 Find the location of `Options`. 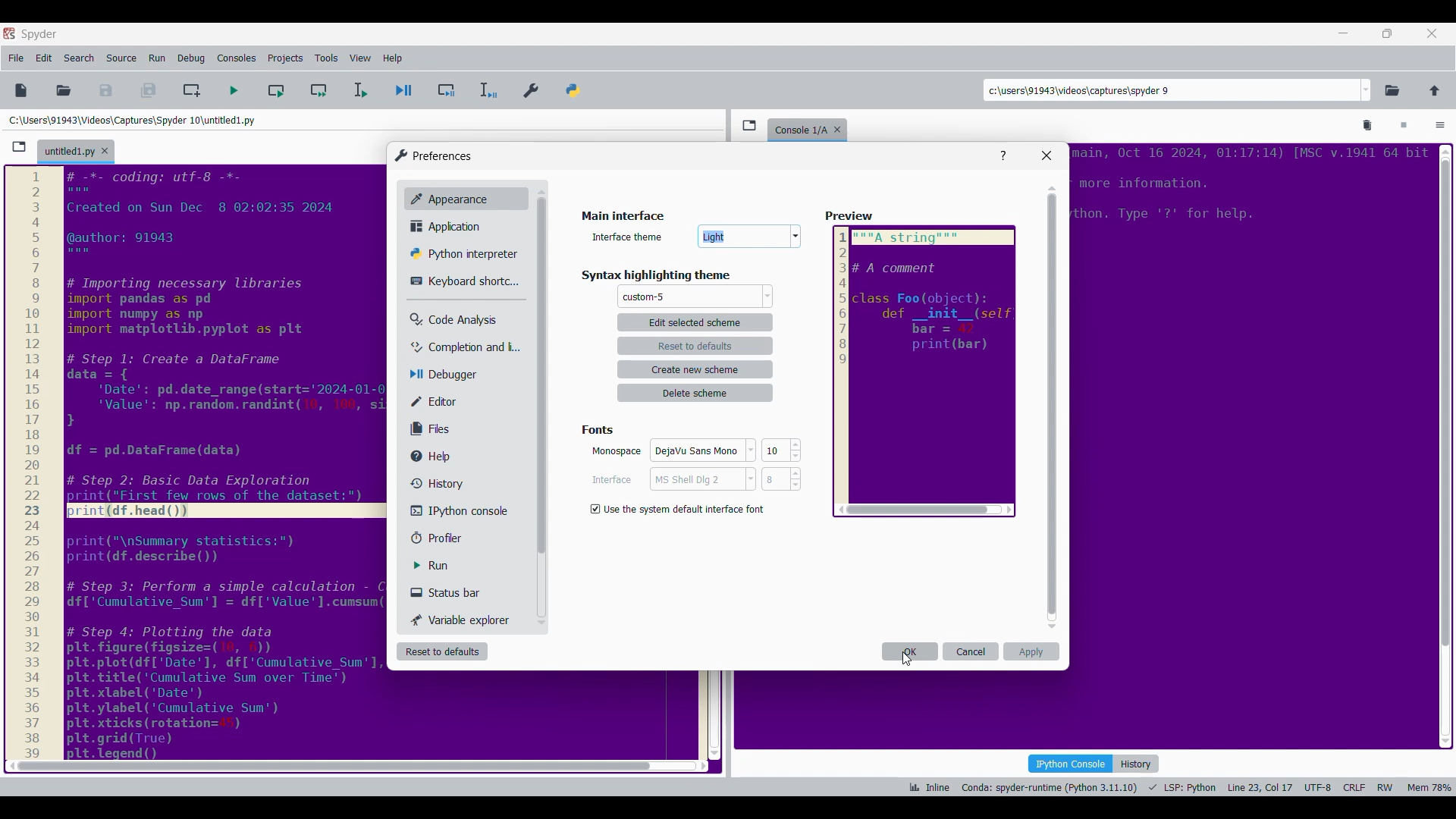

Options is located at coordinates (1440, 127).